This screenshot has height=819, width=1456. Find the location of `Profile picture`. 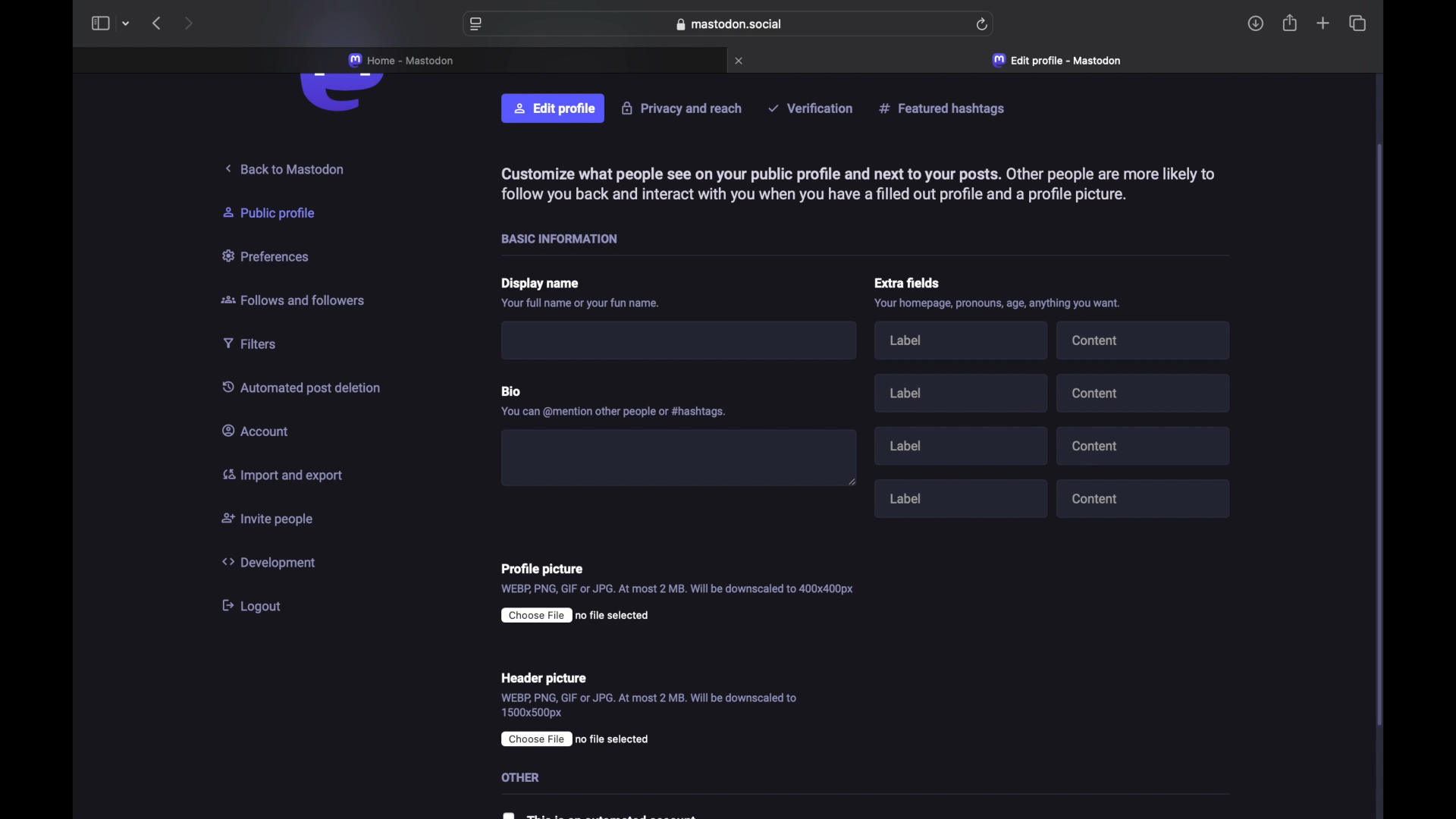

Profile picture is located at coordinates (555, 566).